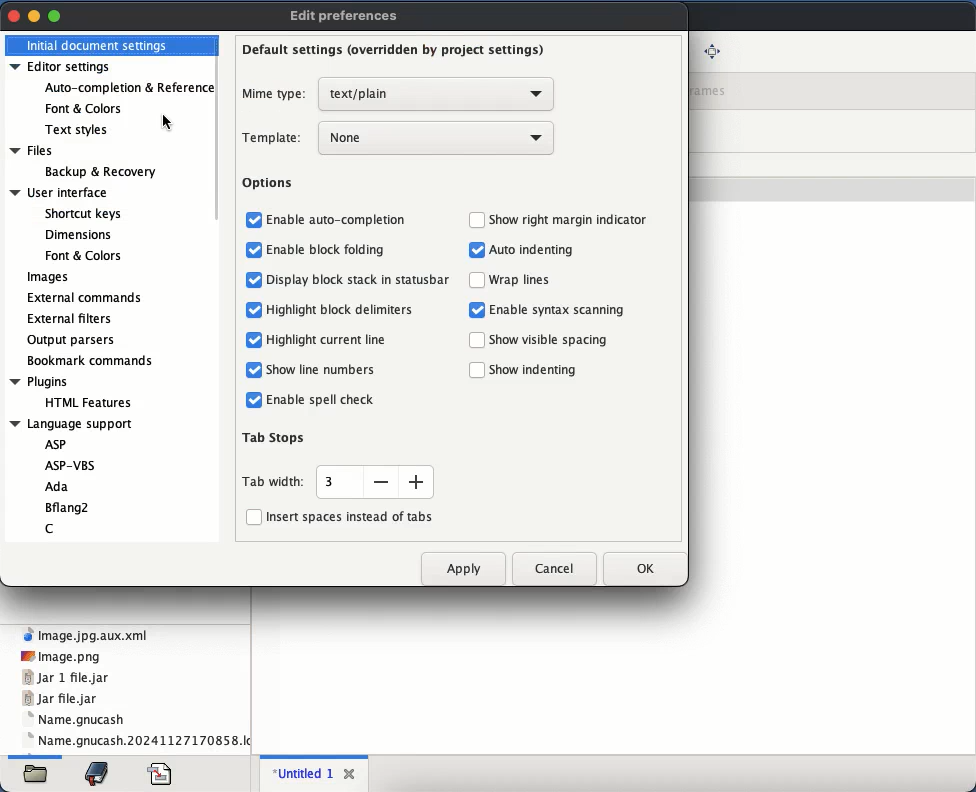 Image resolution: width=976 pixels, height=792 pixels. I want to click on cursor, so click(168, 121).